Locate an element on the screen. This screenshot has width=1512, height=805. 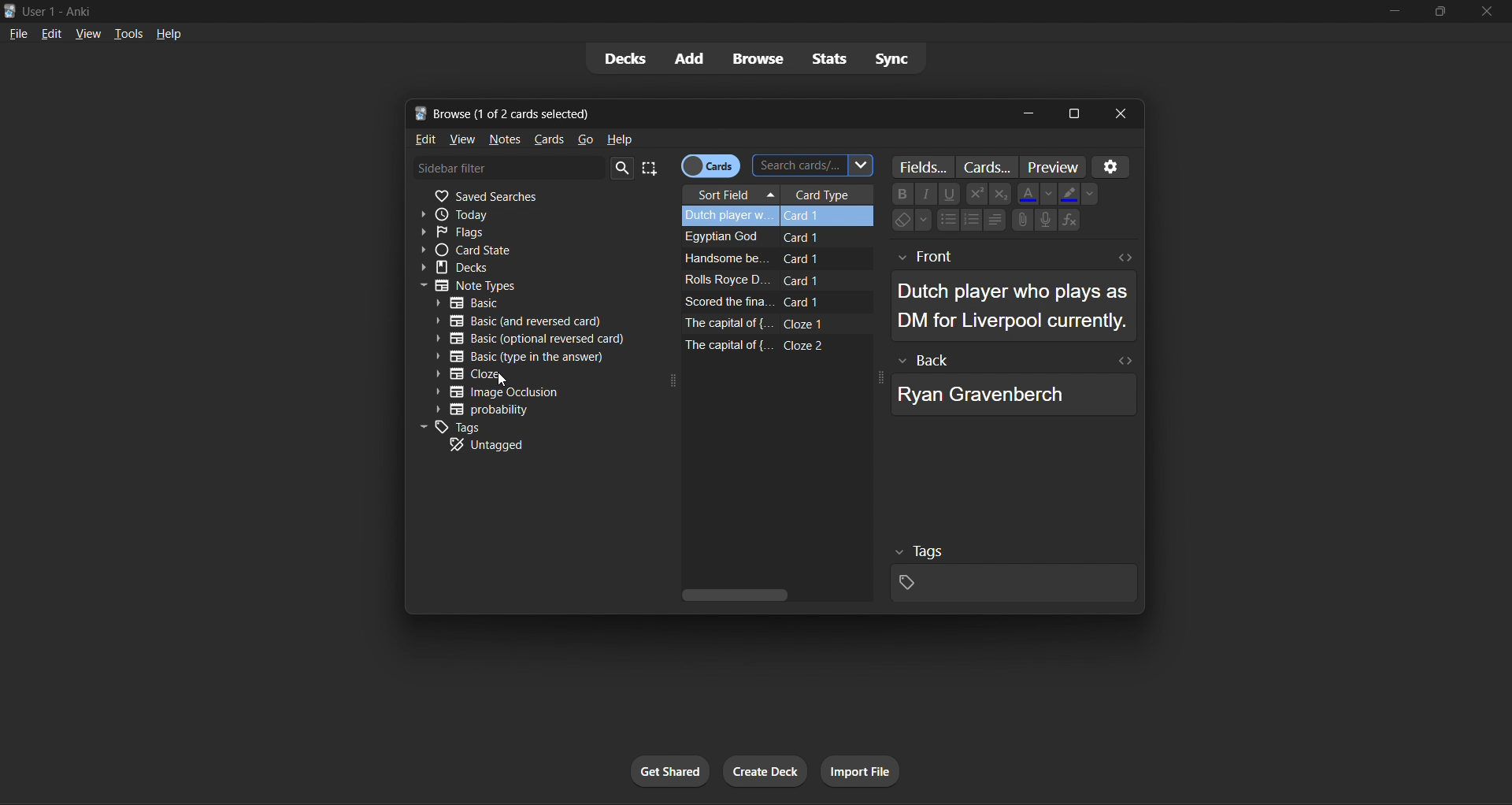
expand icon is located at coordinates (671, 384).